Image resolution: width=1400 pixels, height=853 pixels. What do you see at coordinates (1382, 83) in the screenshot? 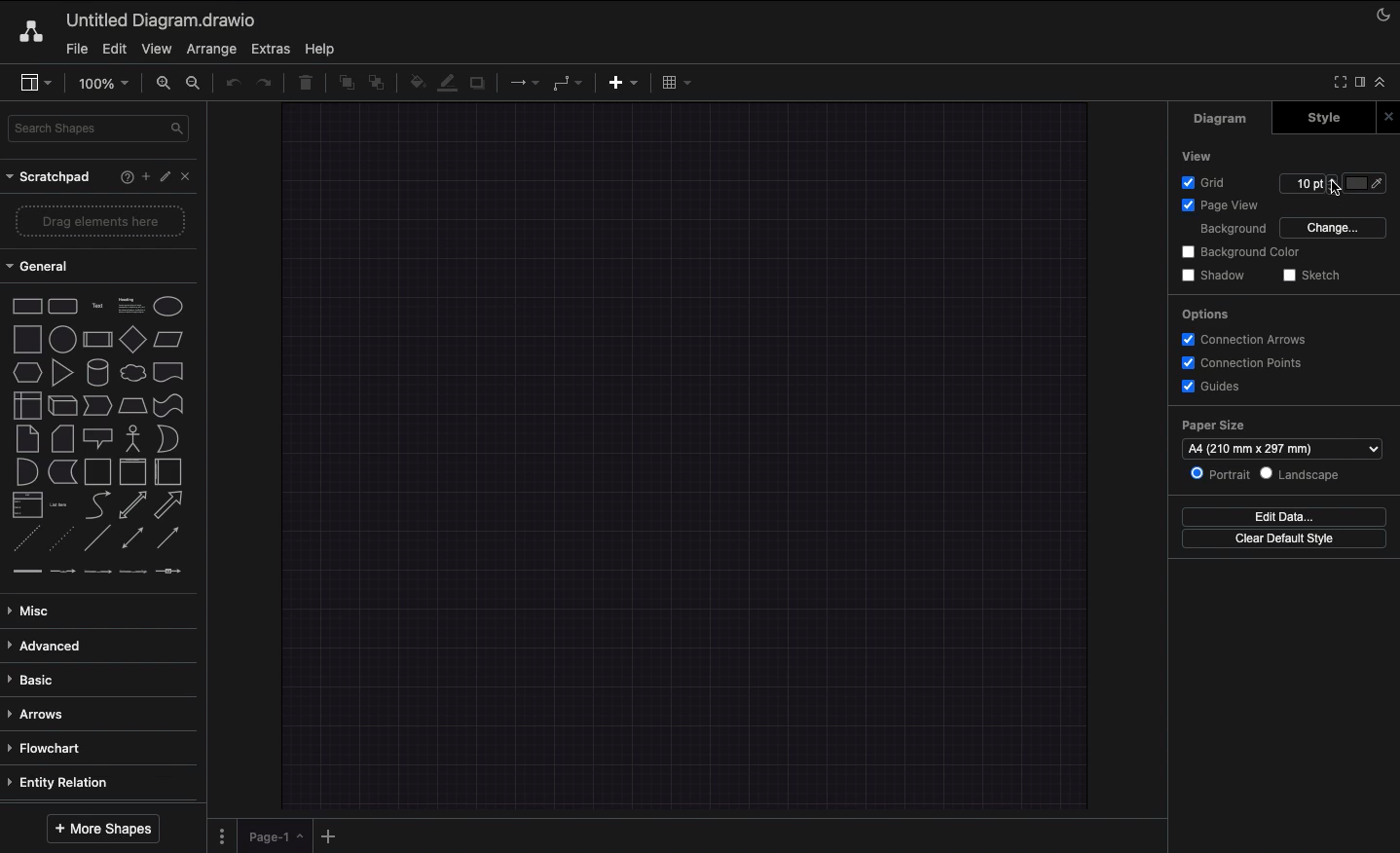
I see `Collapse` at bounding box center [1382, 83].